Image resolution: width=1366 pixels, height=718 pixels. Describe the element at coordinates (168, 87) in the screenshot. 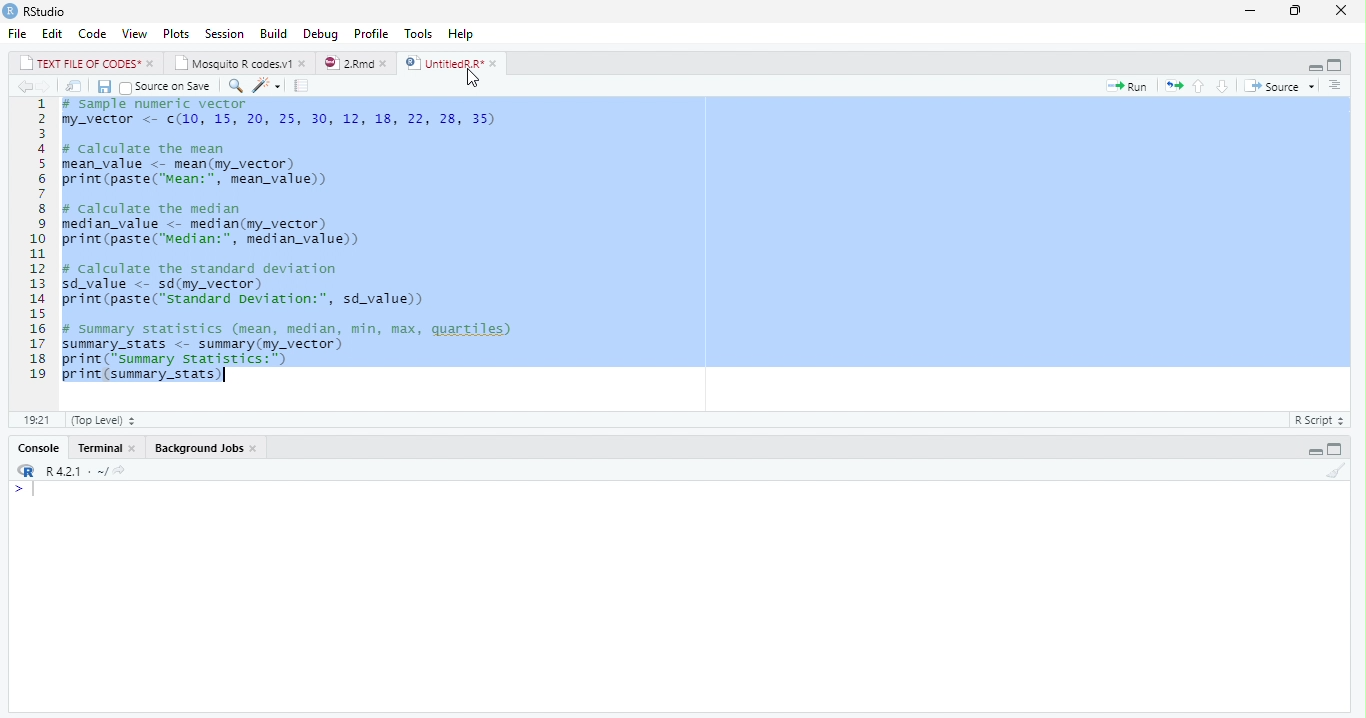

I see `source on save` at that location.